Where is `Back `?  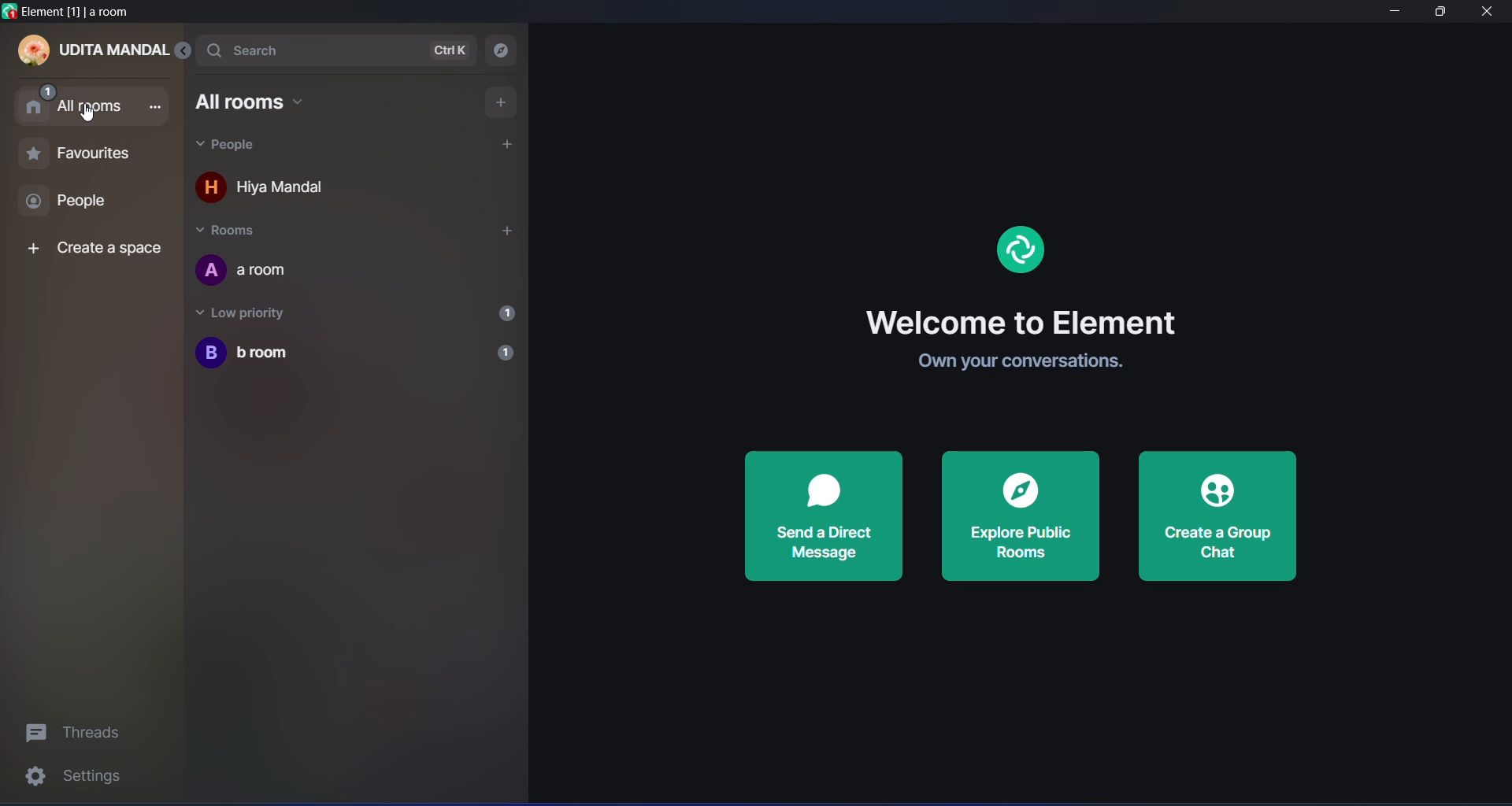 Back  is located at coordinates (188, 51).